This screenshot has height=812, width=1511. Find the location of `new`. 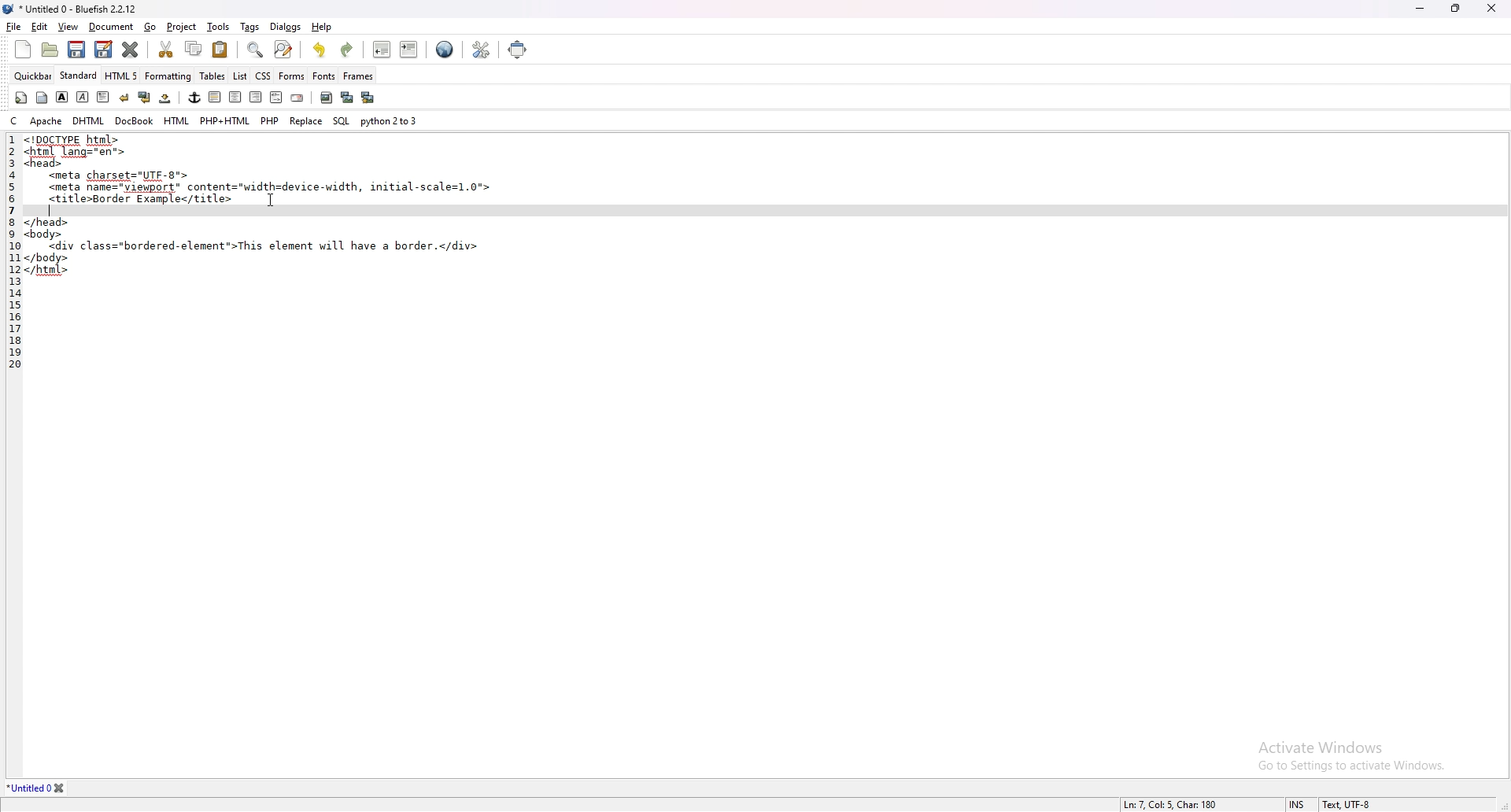

new is located at coordinates (22, 50).